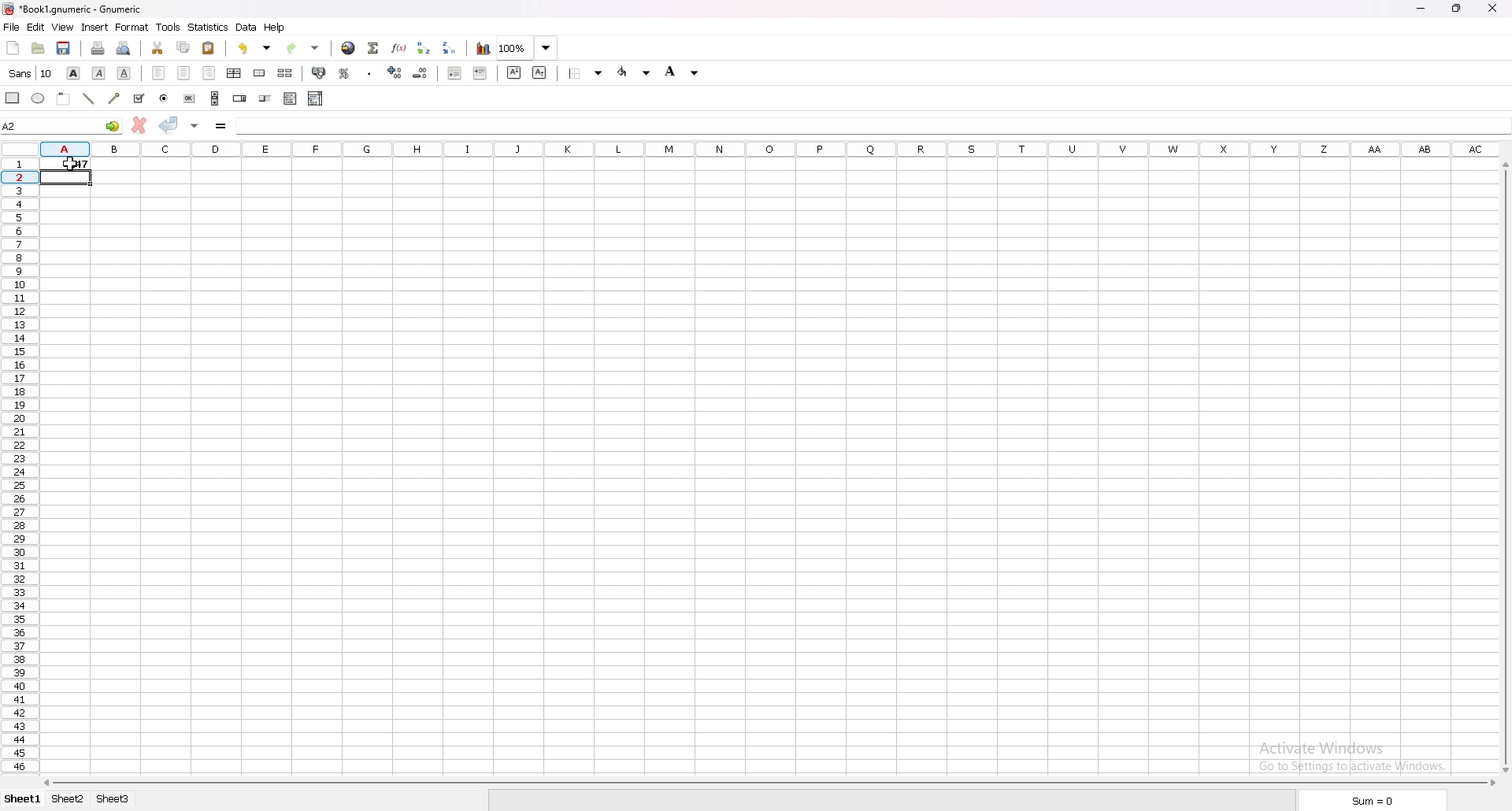  What do you see at coordinates (71, 164) in the screenshot?
I see `cursor` at bounding box center [71, 164].